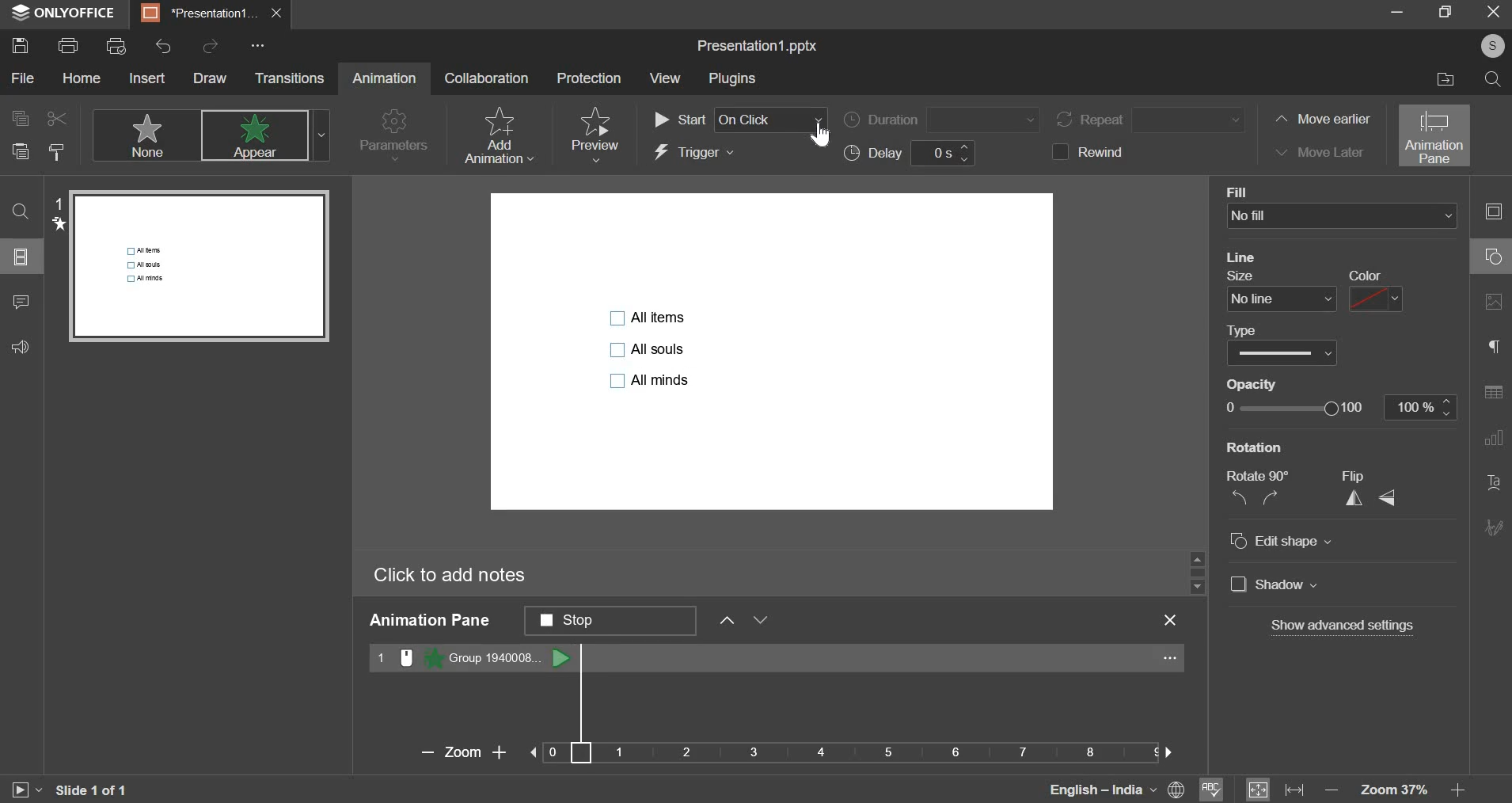 This screenshot has height=803, width=1512. What do you see at coordinates (644, 349) in the screenshot?
I see `bullet points` at bounding box center [644, 349].